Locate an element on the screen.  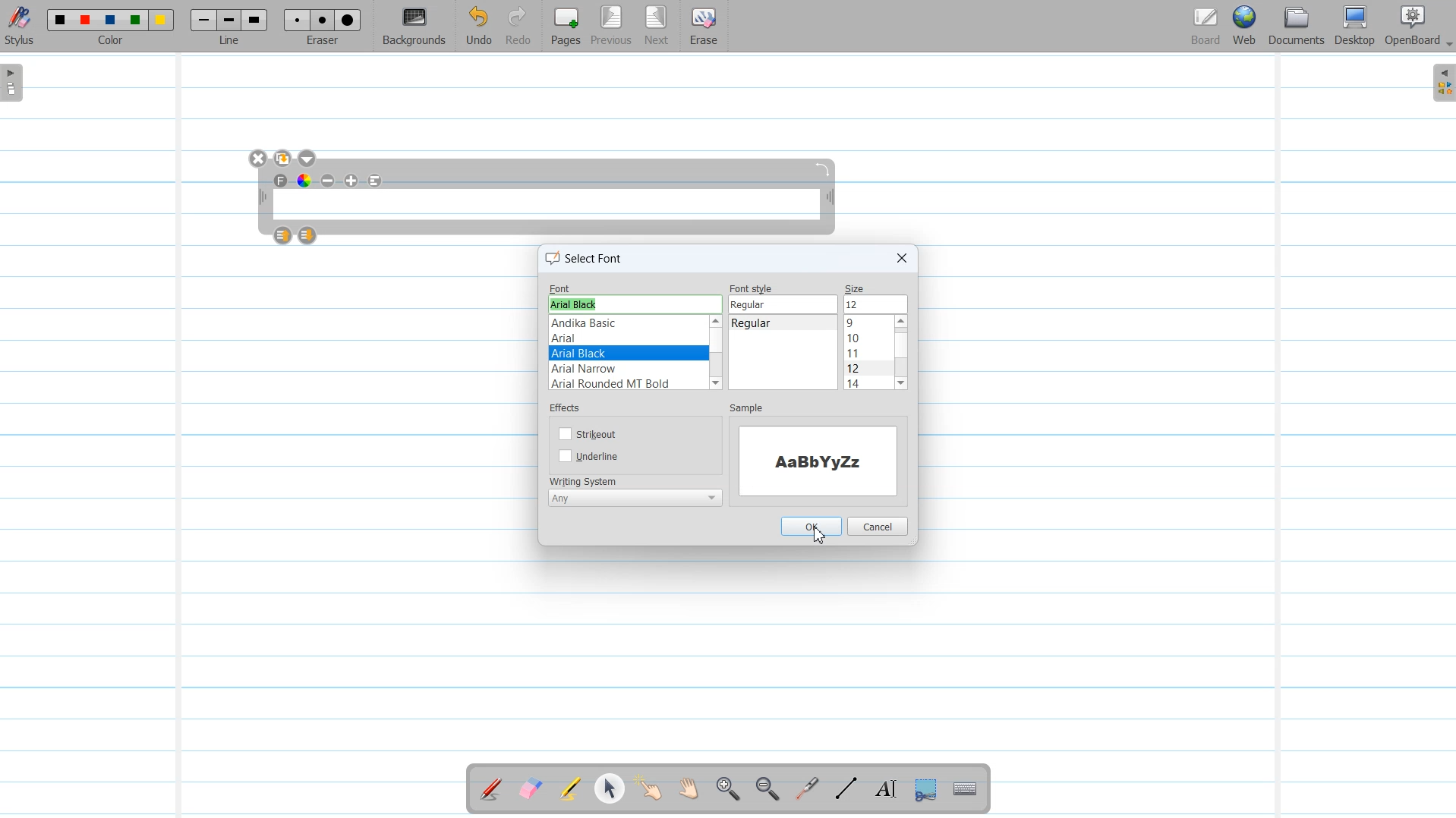
Close Window is located at coordinates (259, 159).